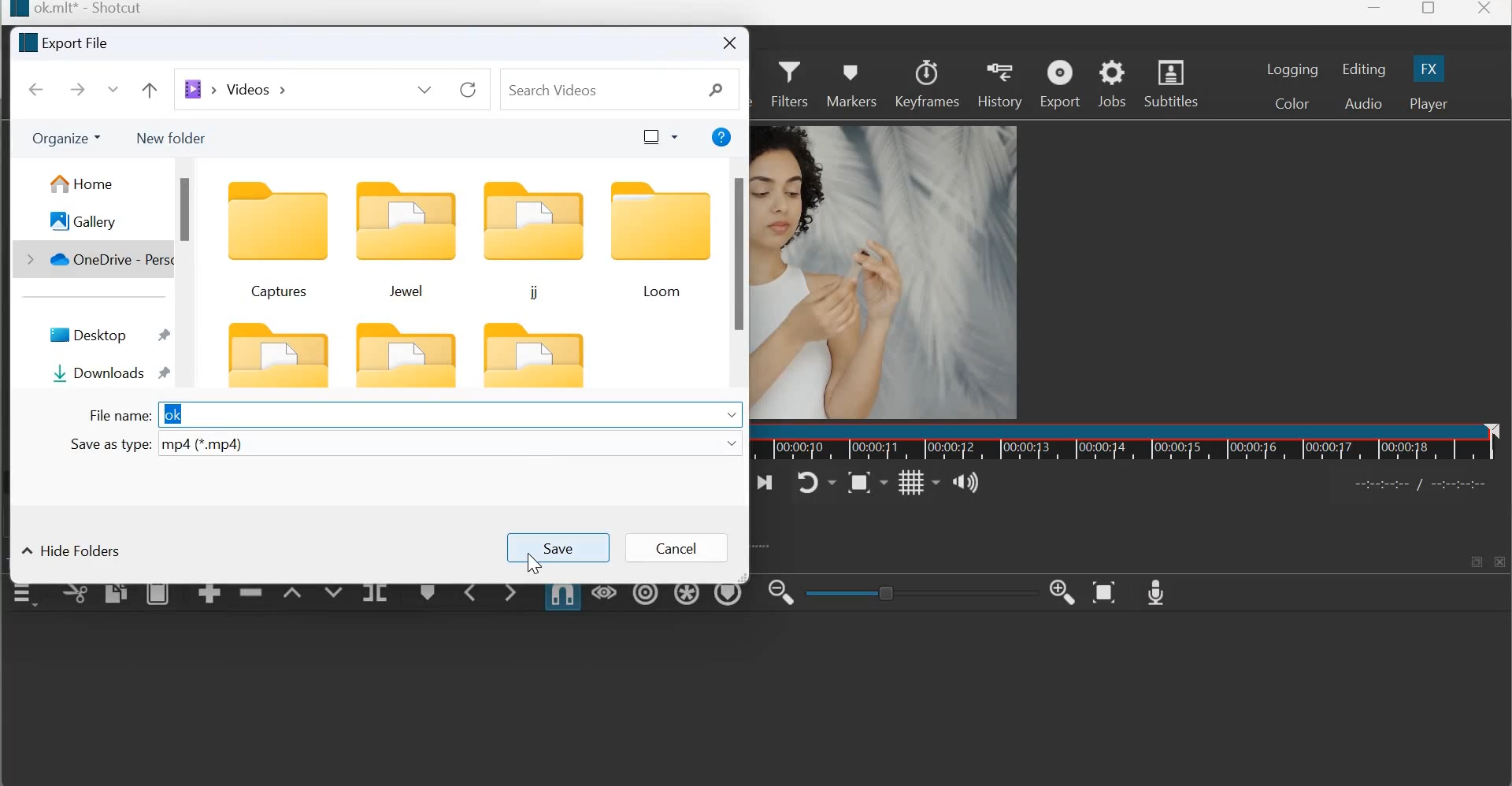 The width and height of the screenshot is (1512, 786). Describe the element at coordinates (151, 89) in the screenshot. I see `Up to desktop` at that location.